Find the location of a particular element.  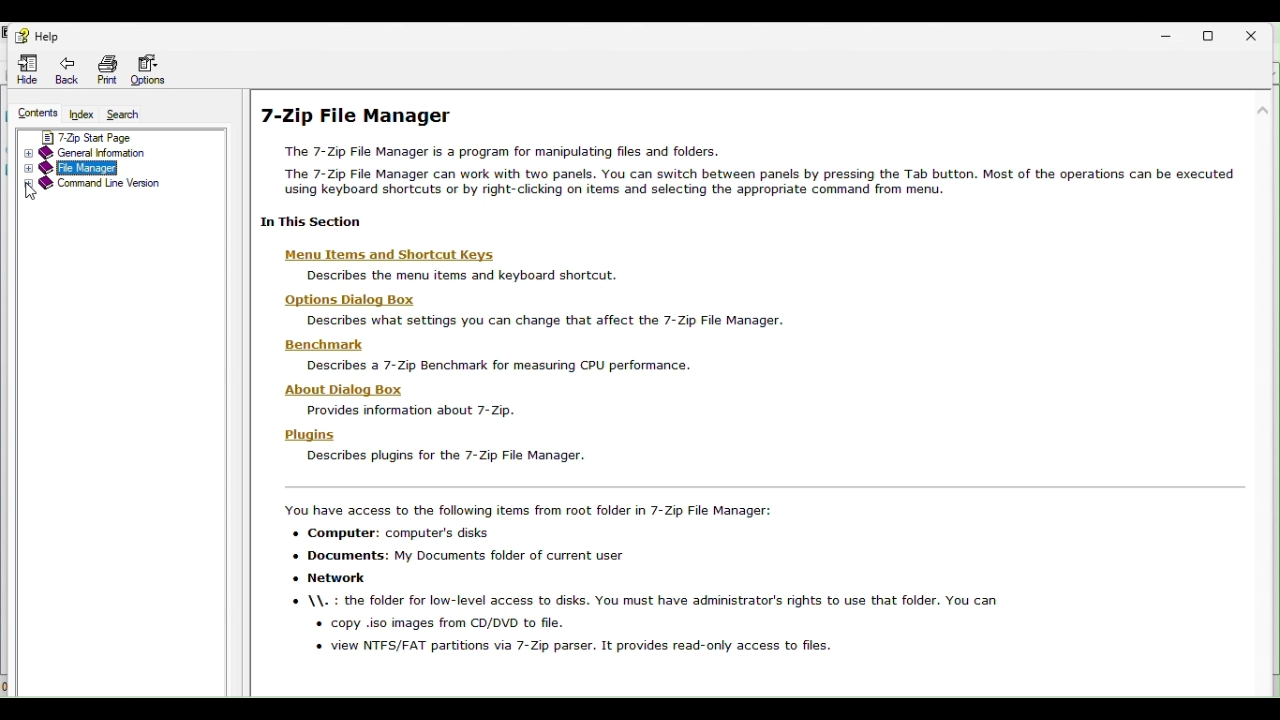

index is located at coordinates (84, 114).